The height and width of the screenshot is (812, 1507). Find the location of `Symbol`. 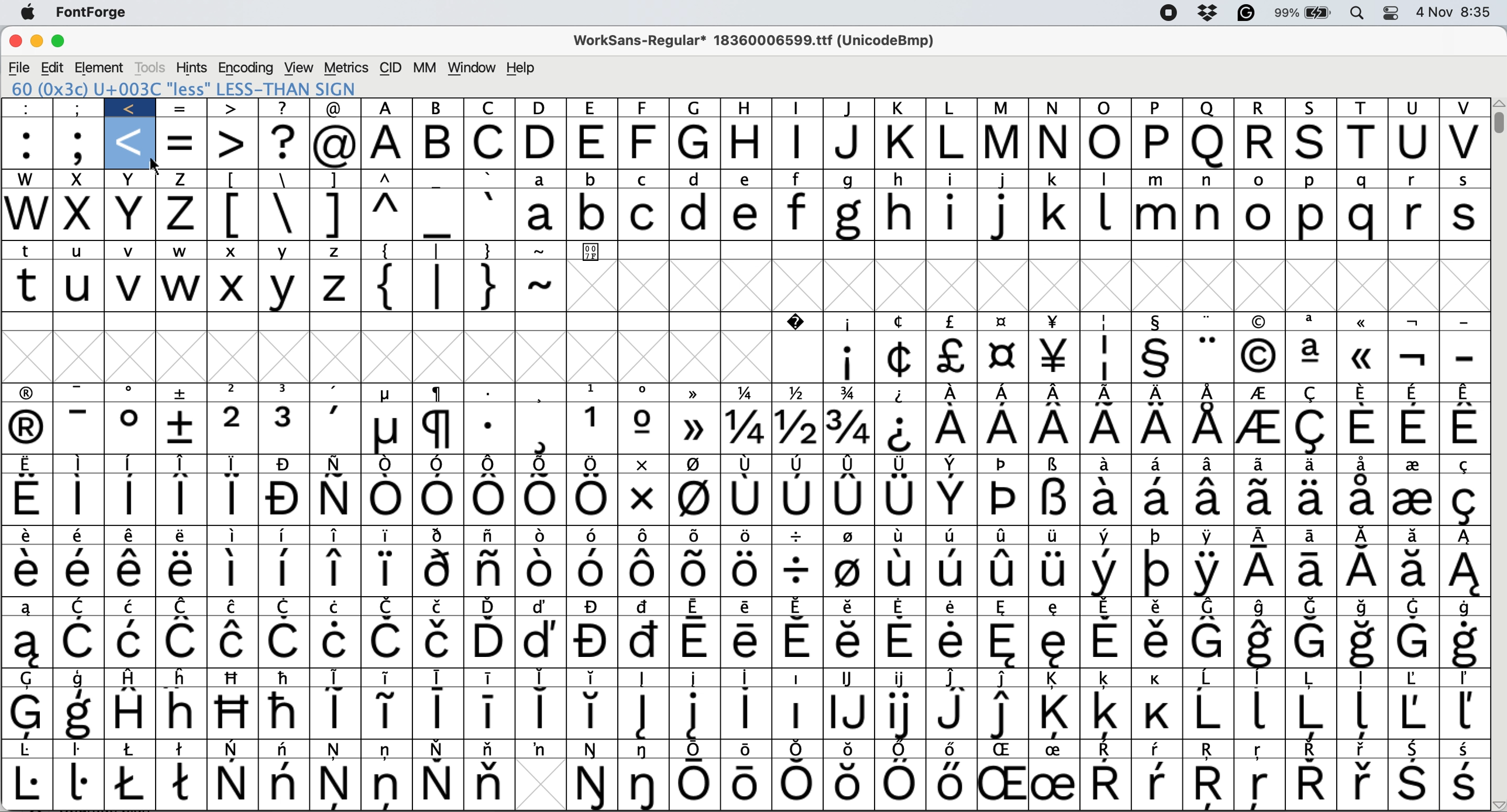

Symbol is located at coordinates (592, 642).